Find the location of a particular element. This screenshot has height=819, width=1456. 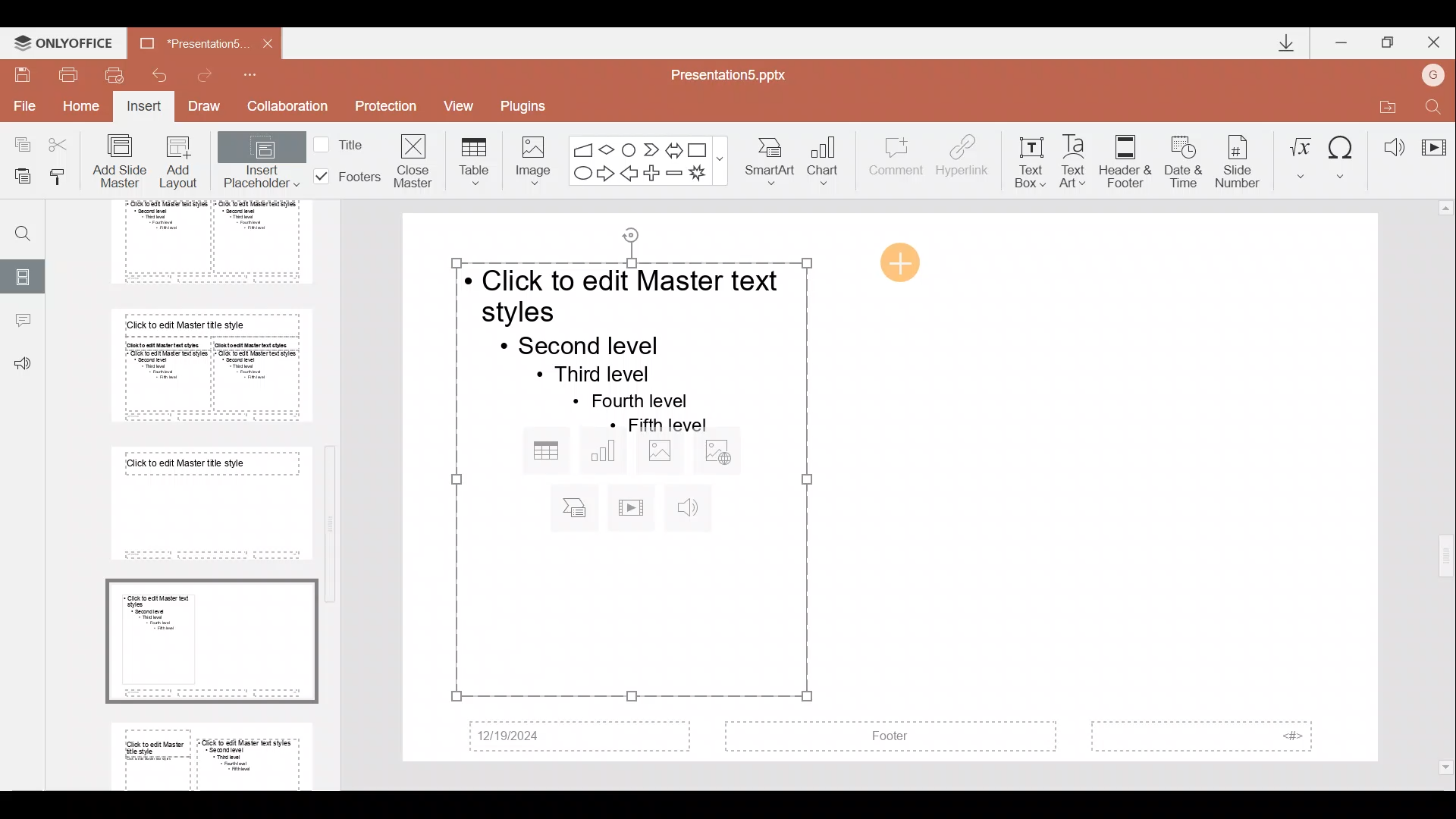

View is located at coordinates (464, 105).